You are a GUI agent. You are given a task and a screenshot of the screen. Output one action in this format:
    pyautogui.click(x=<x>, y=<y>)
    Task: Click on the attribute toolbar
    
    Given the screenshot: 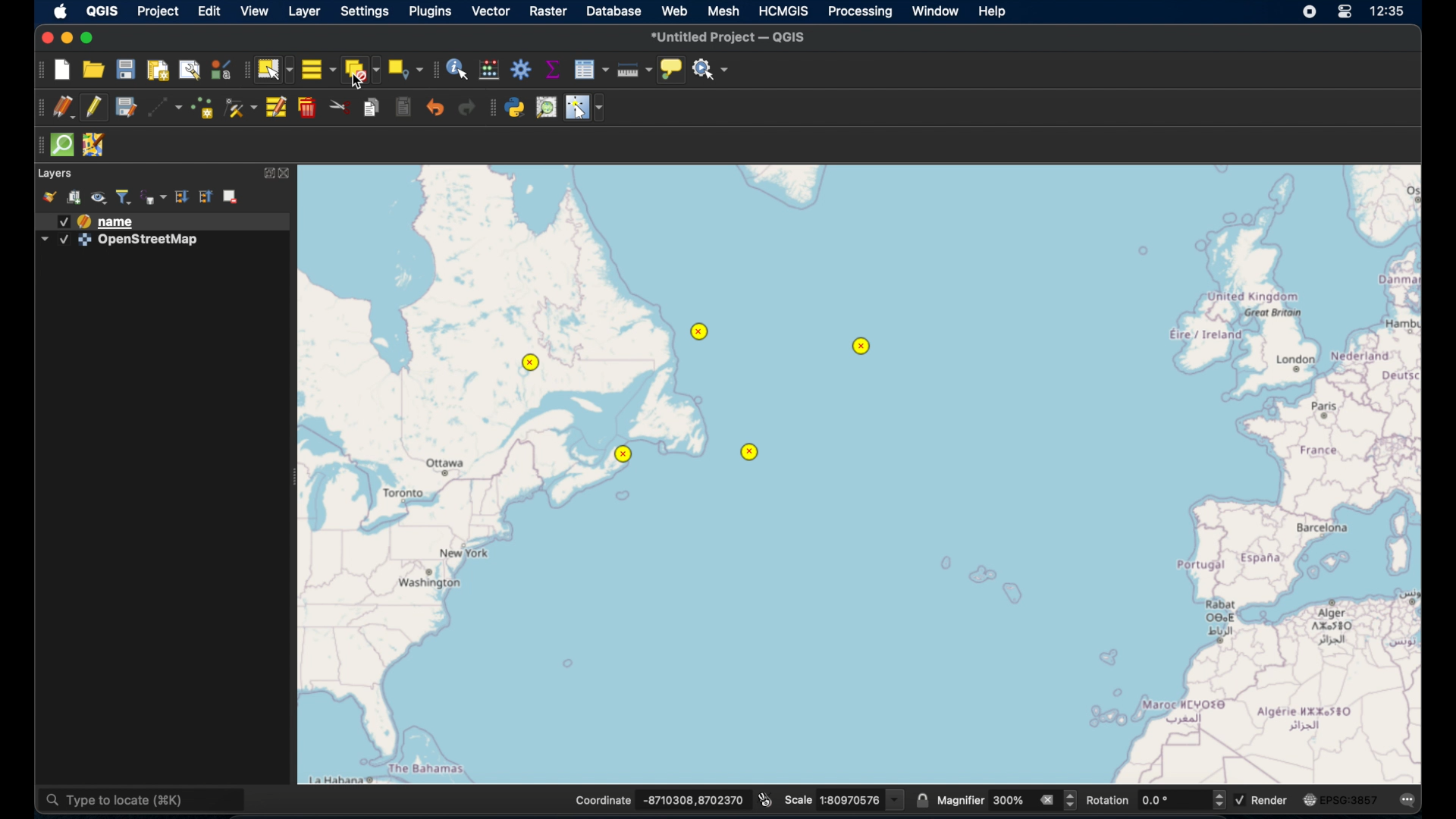 What is the action you would take?
    pyautogui.click(x=435, y=69)
    